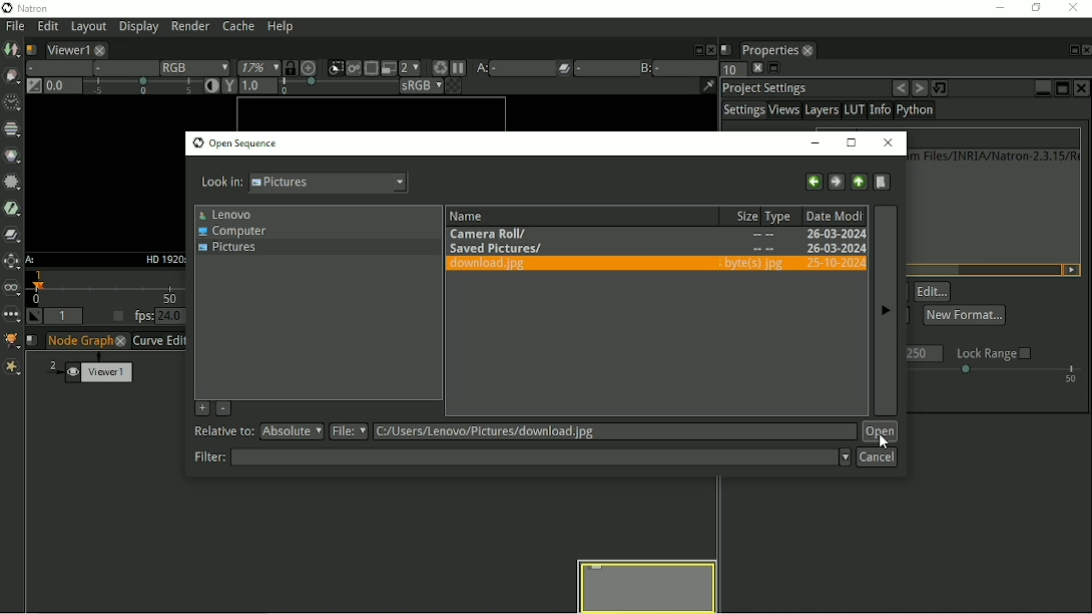  Describe the element at coordinates (782, 215) in the screenshot. I see `Type` at that location.